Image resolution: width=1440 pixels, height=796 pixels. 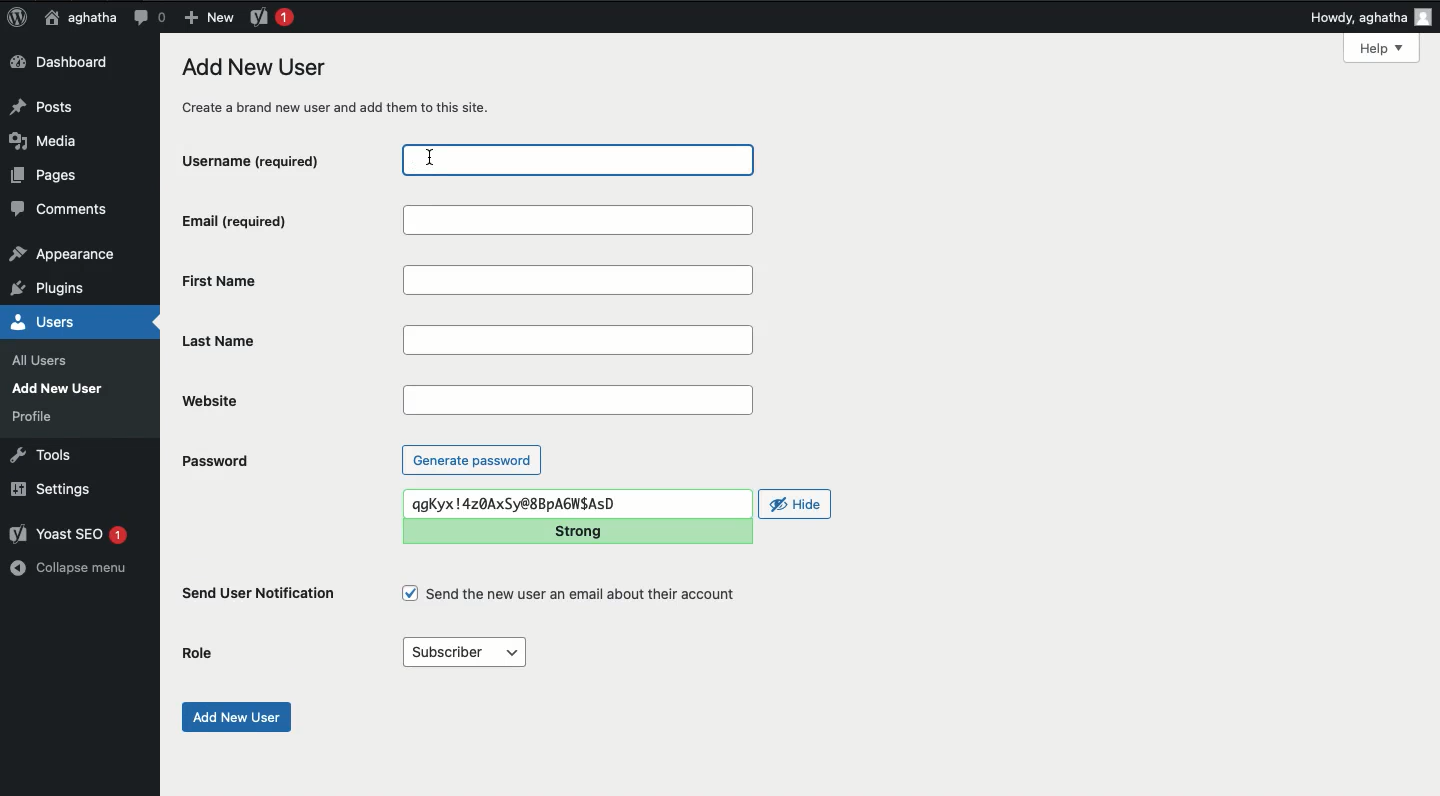 I want to click on Pages, so click(x=50, y=179).